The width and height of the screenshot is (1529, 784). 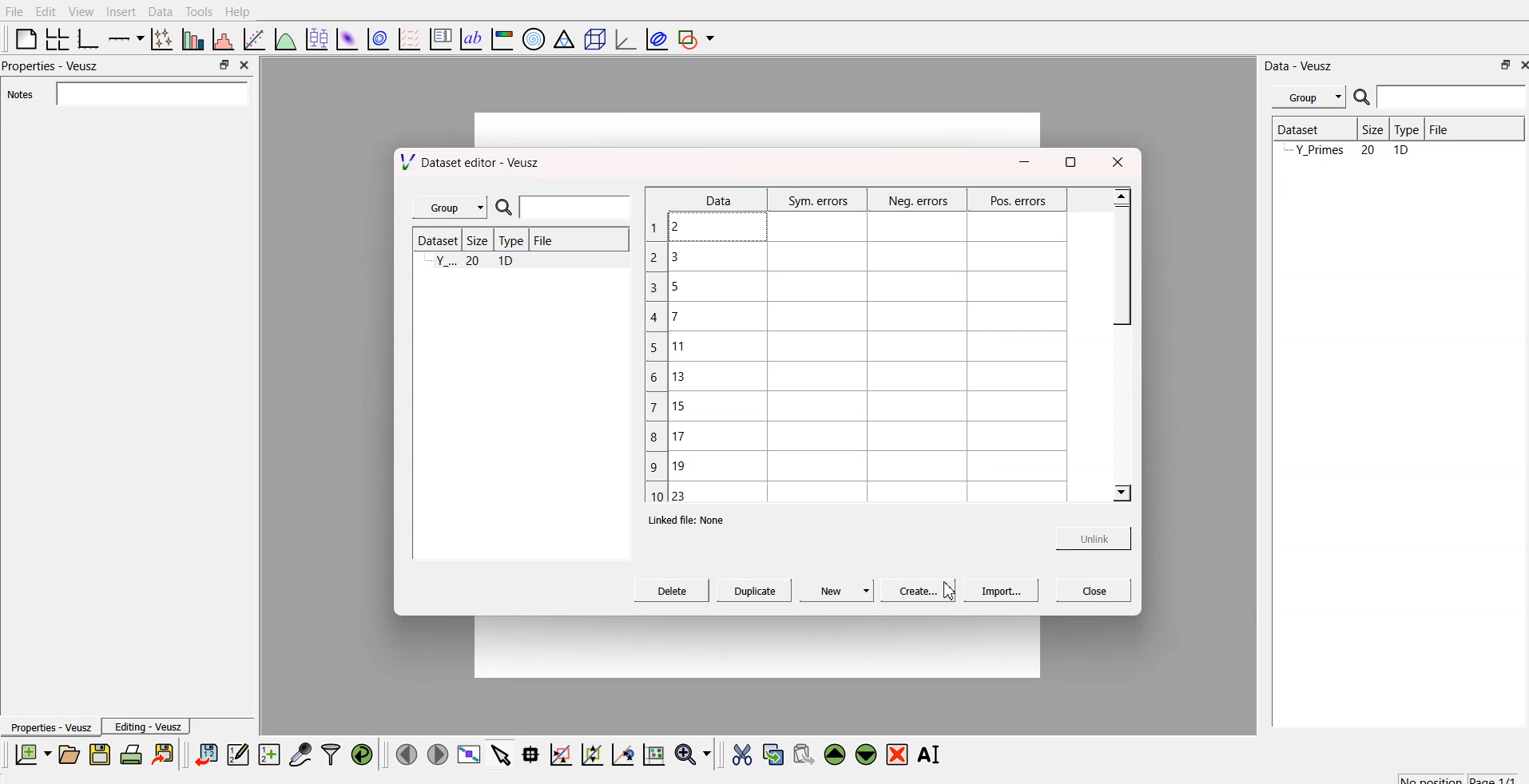 I want to click on N \/ Dataset editor - Veusz, so click(x=473, y=163).